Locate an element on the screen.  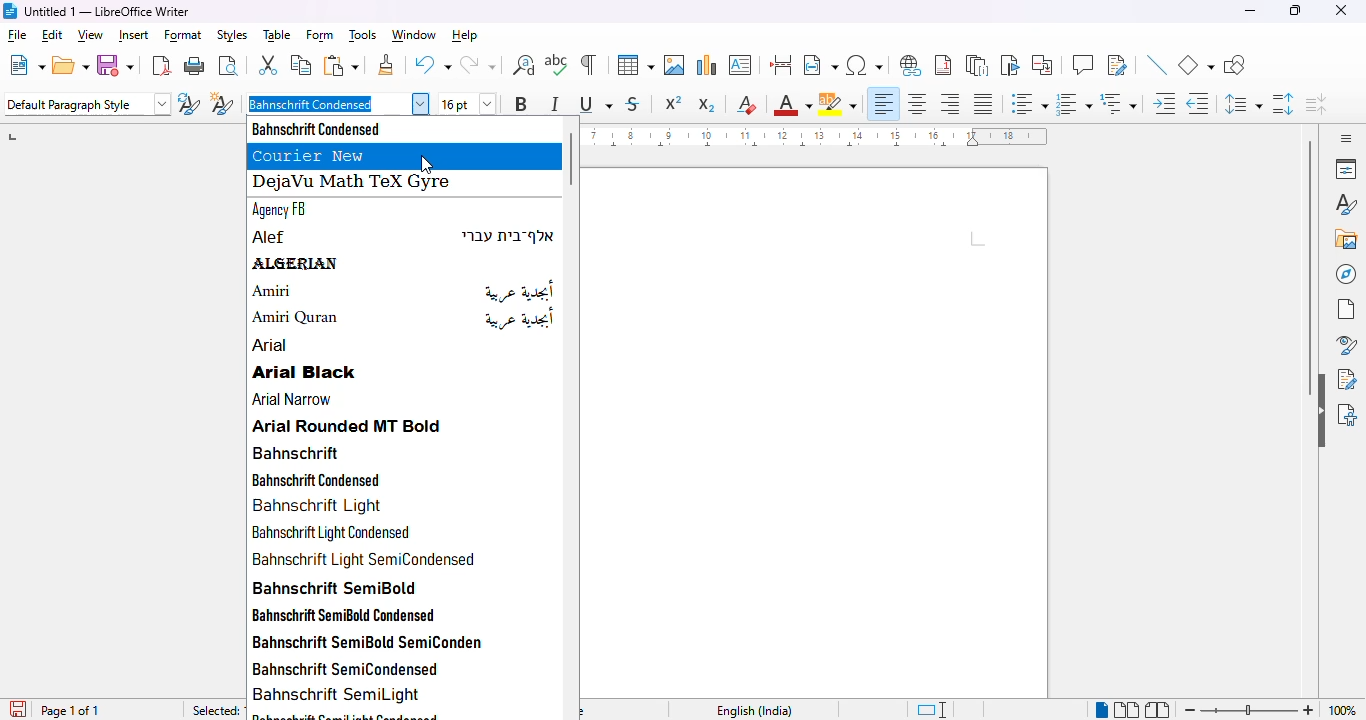
save is located at coordinates (16, 708).